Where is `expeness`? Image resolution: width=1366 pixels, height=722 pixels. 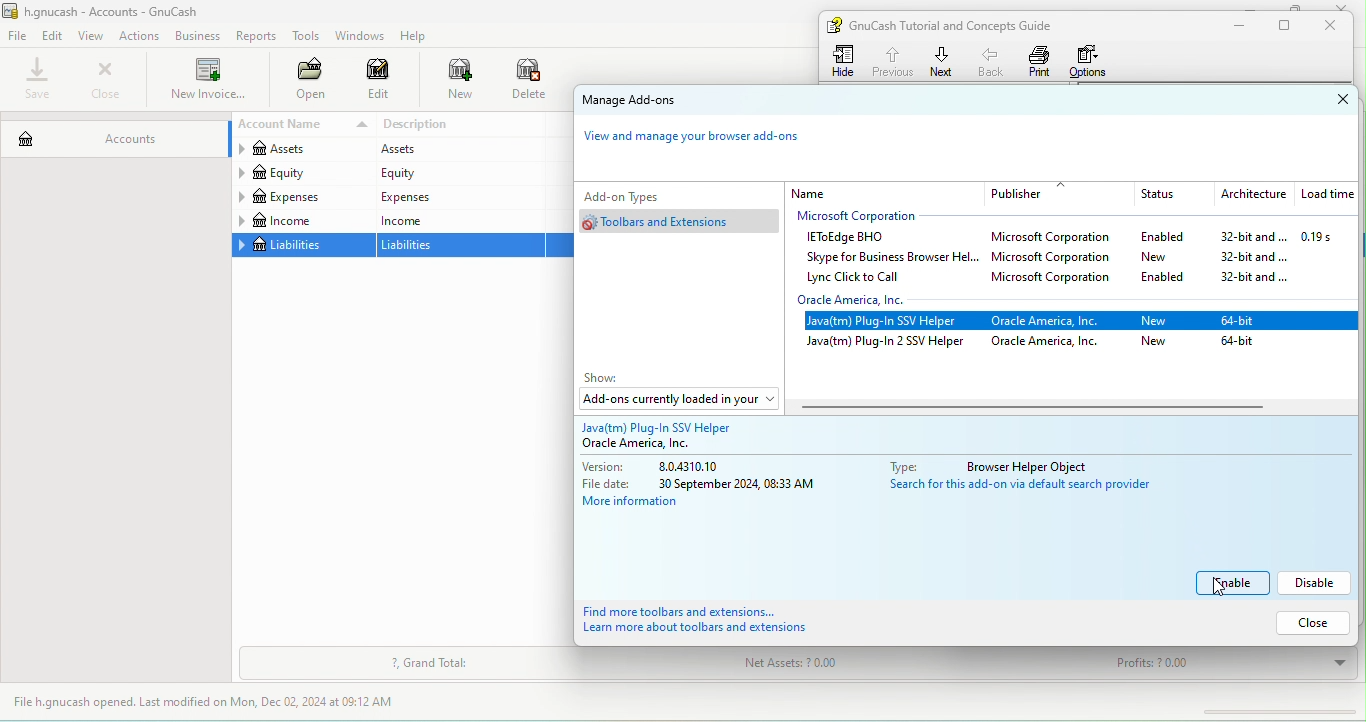 expeness is located at coordinates (457, 196).